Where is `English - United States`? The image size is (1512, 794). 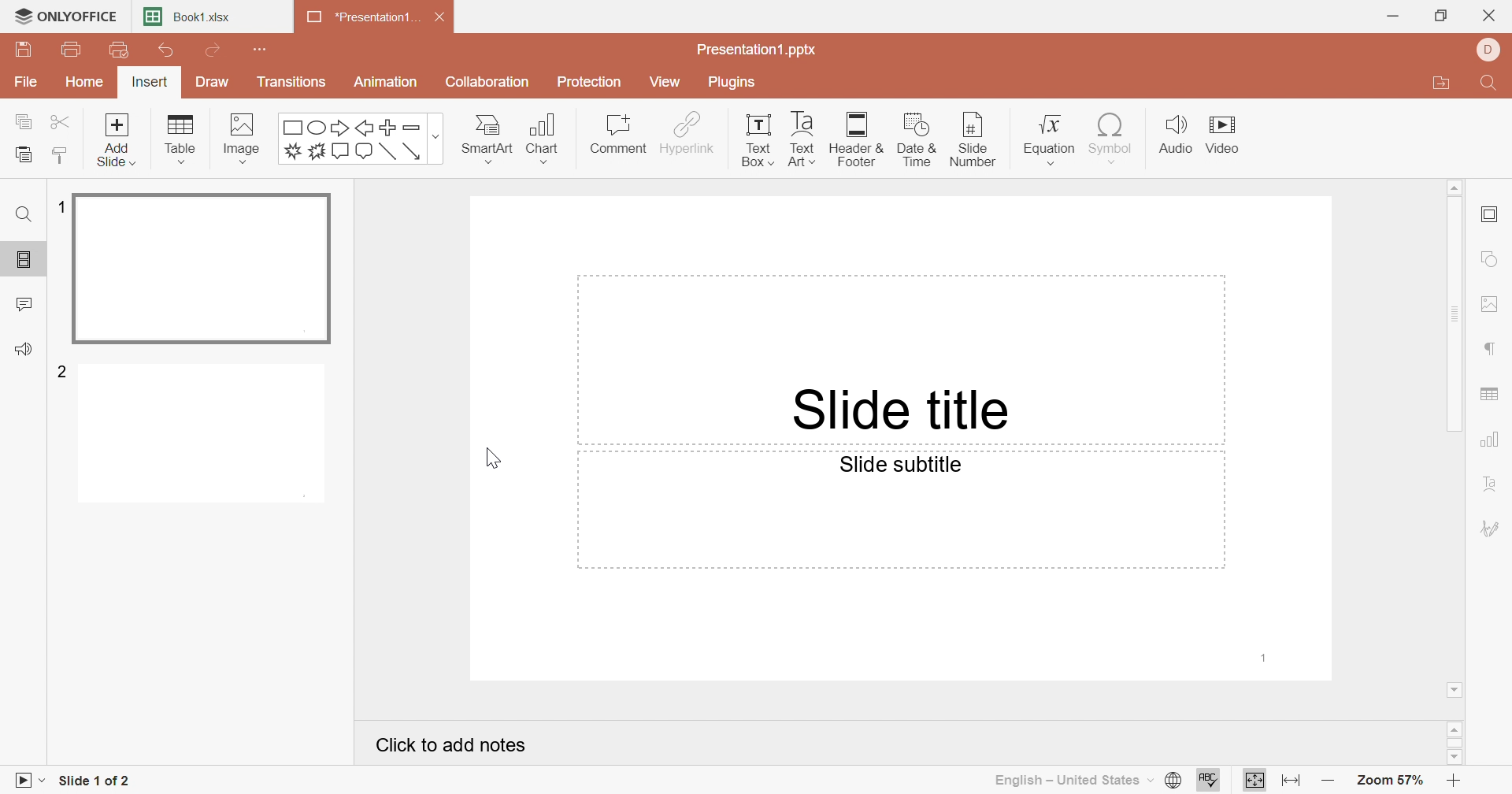 English - United States is located at coordinates (1072, 780).